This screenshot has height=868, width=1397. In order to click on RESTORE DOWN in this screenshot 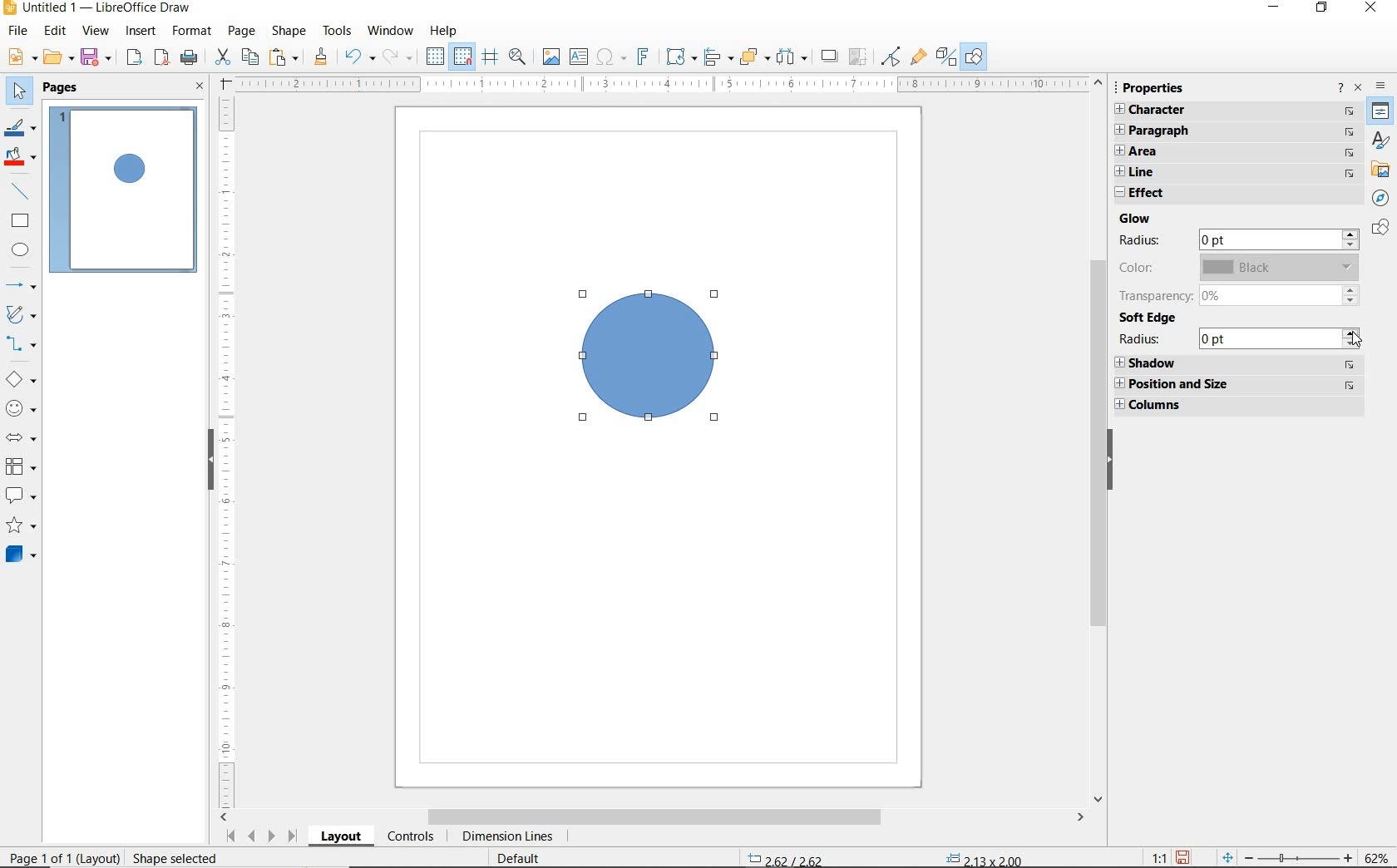, I will do `click(1320, 9)`.